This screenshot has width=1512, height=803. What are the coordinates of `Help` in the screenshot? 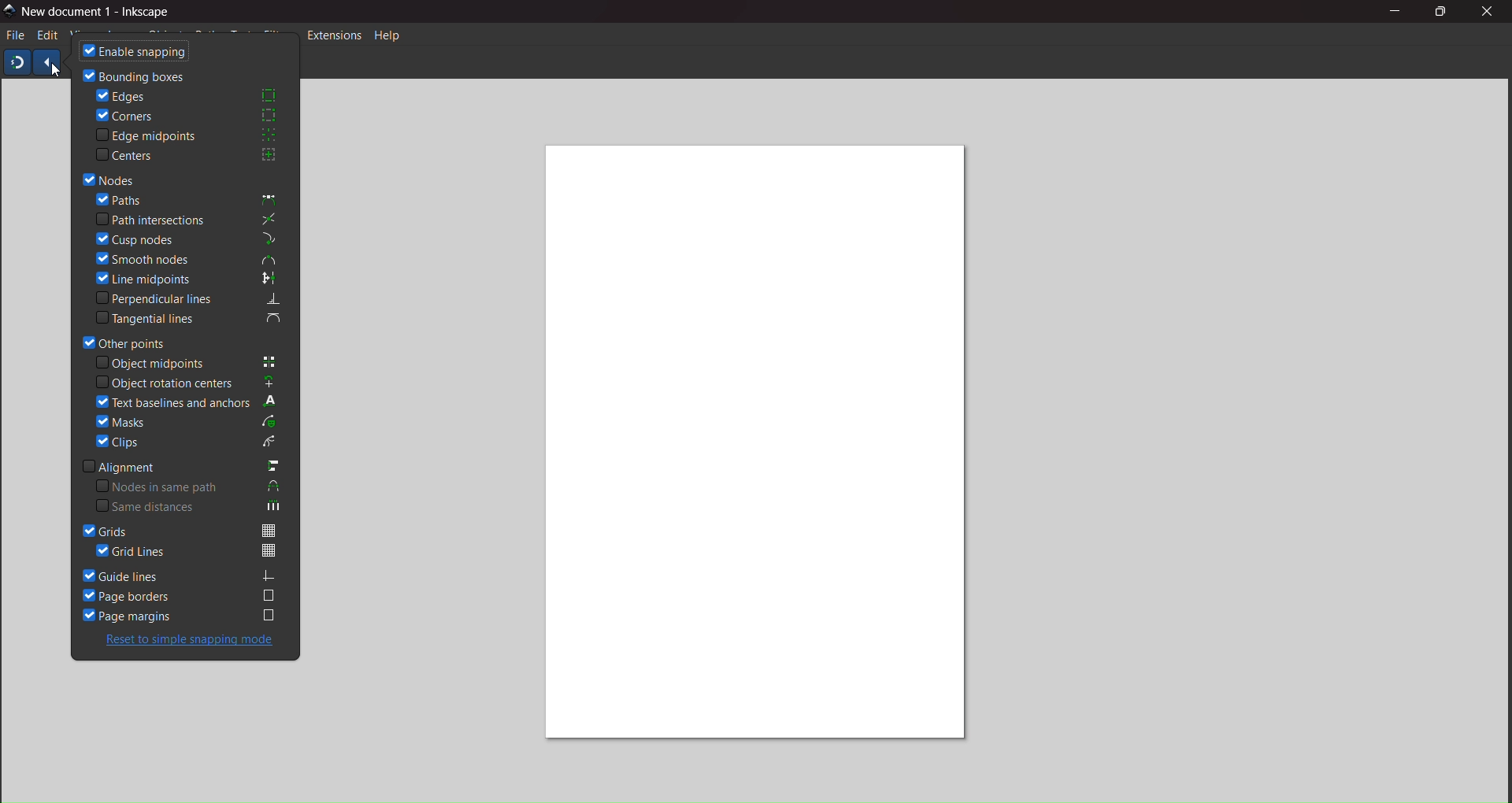 It's located at (391, 36).